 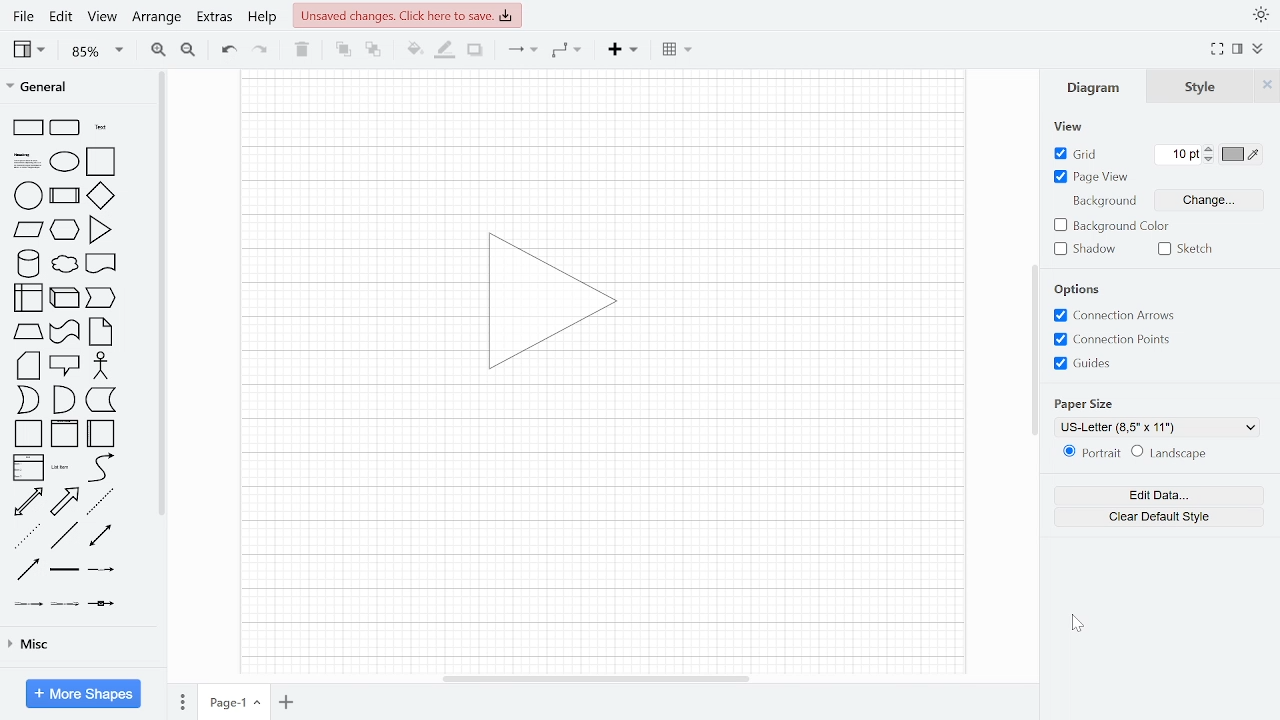 What do you see at coordinates (1208, 200) in the screenshot?
I see `Change Background` at bounding box center [1208, 200].